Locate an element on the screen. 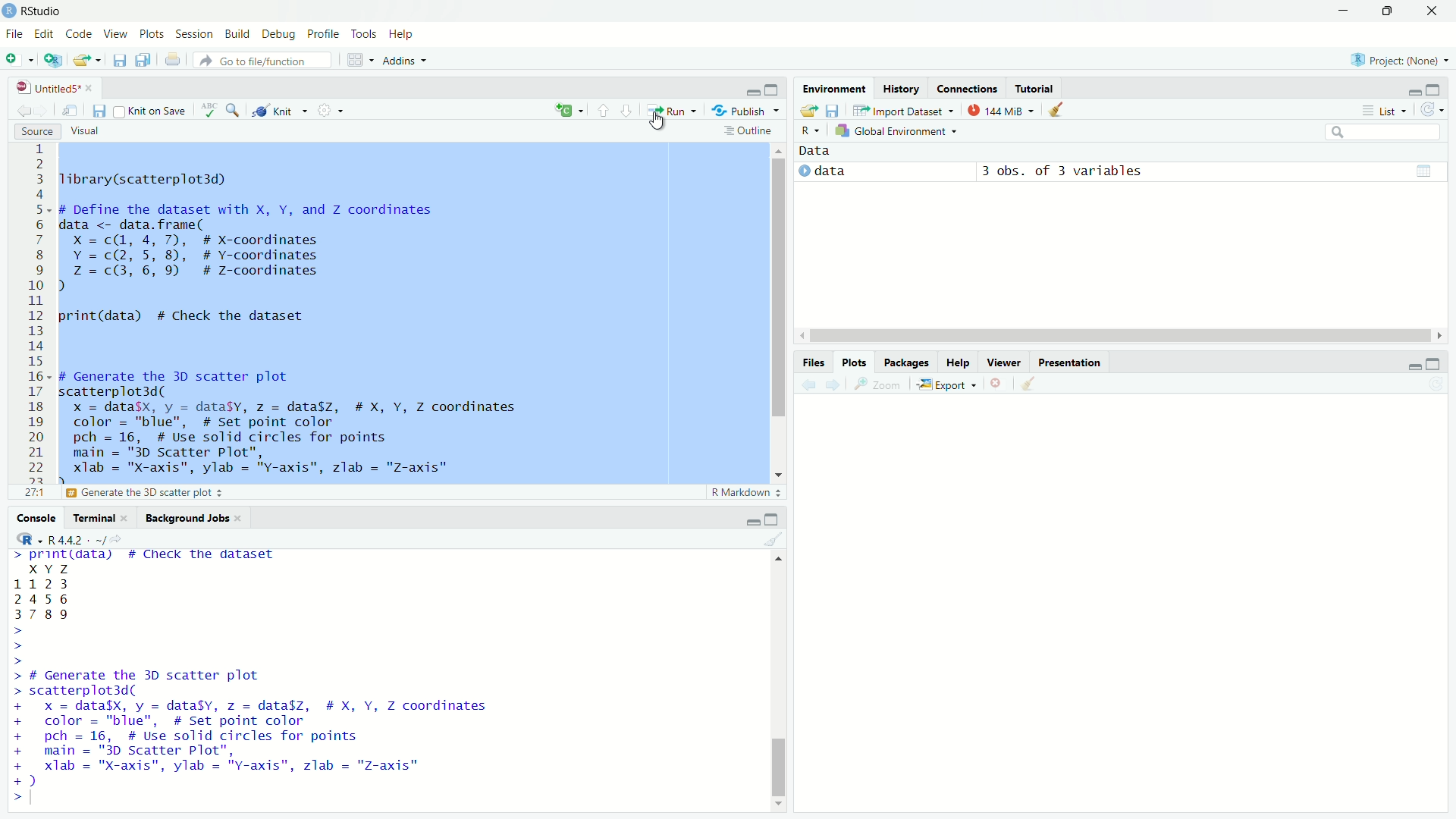  R is located at coordinates (22, 539).